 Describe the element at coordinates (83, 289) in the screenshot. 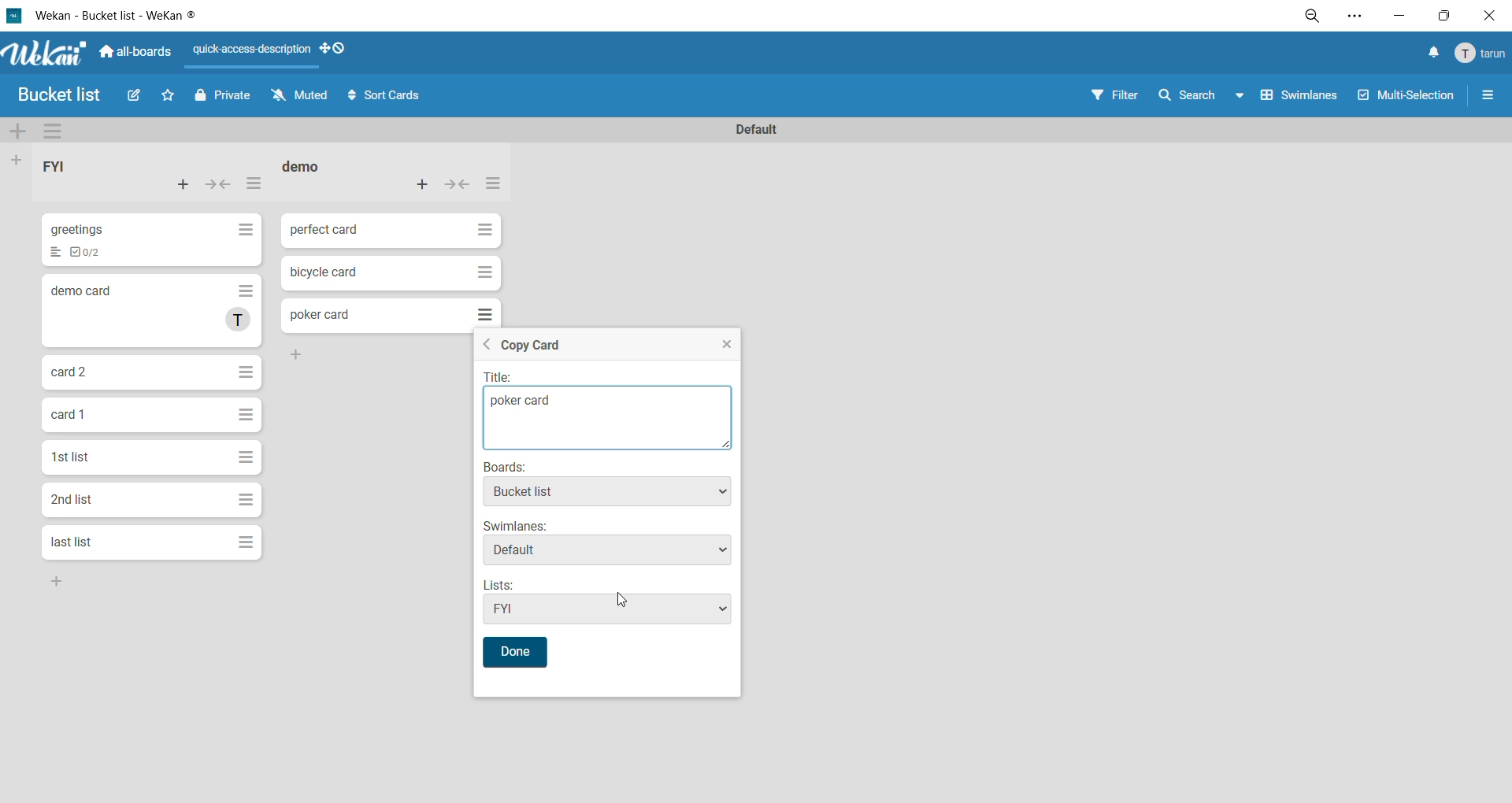

I see `demo card` at that location.